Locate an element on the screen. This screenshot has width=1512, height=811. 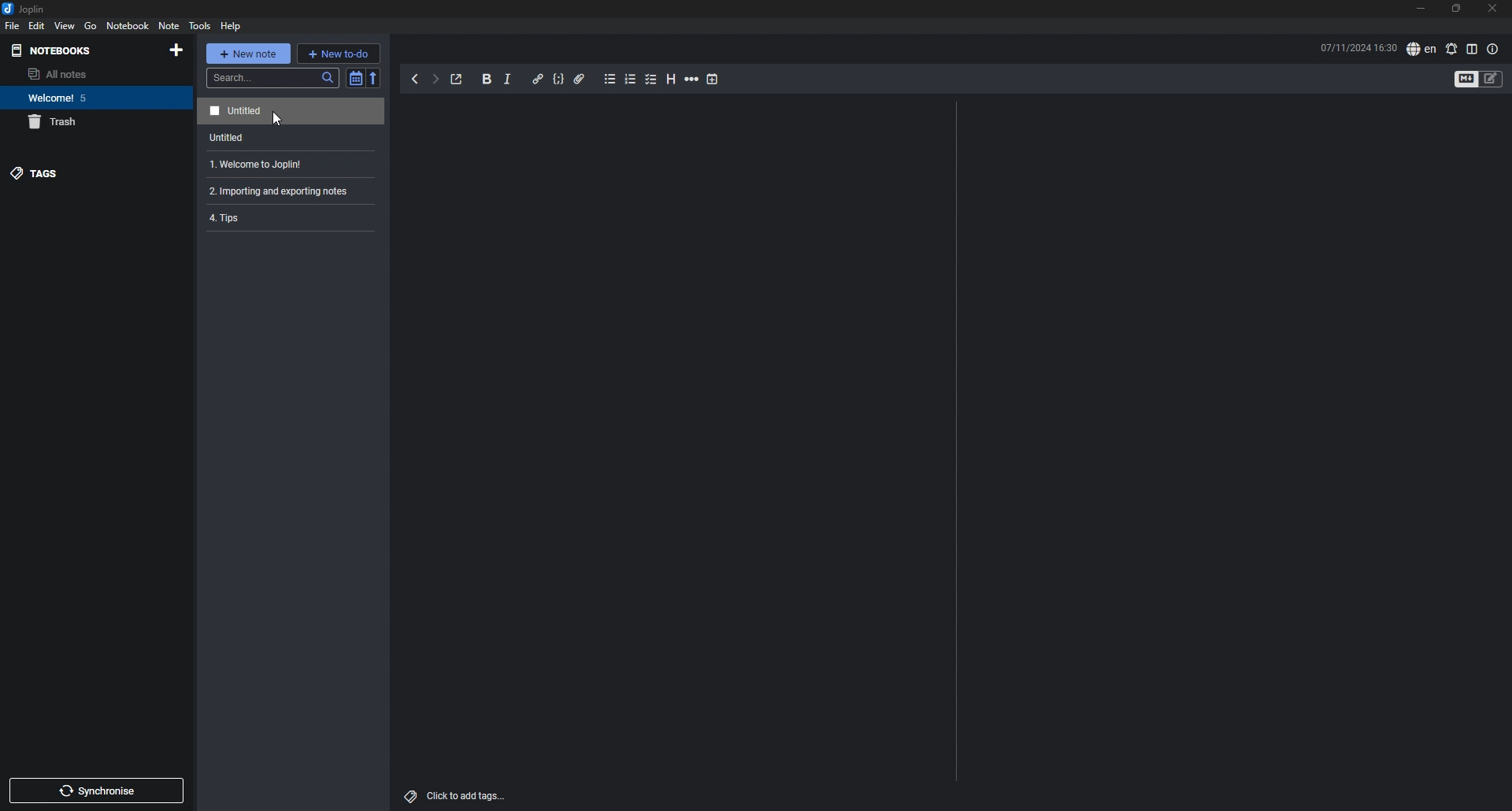
file is located at coordinates (13, 26).